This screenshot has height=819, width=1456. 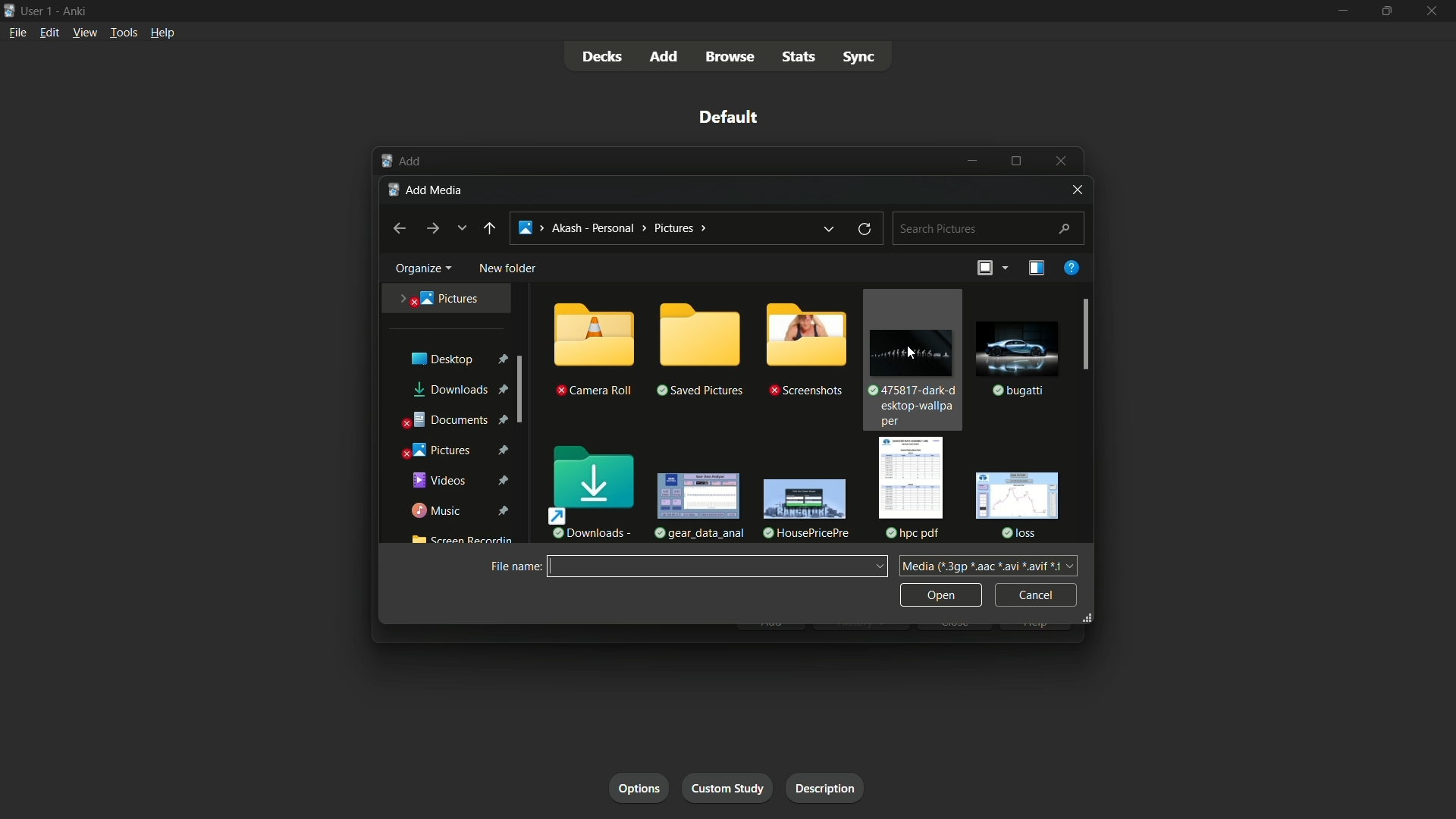 I want to click on organize, so click(x=422, y=266).